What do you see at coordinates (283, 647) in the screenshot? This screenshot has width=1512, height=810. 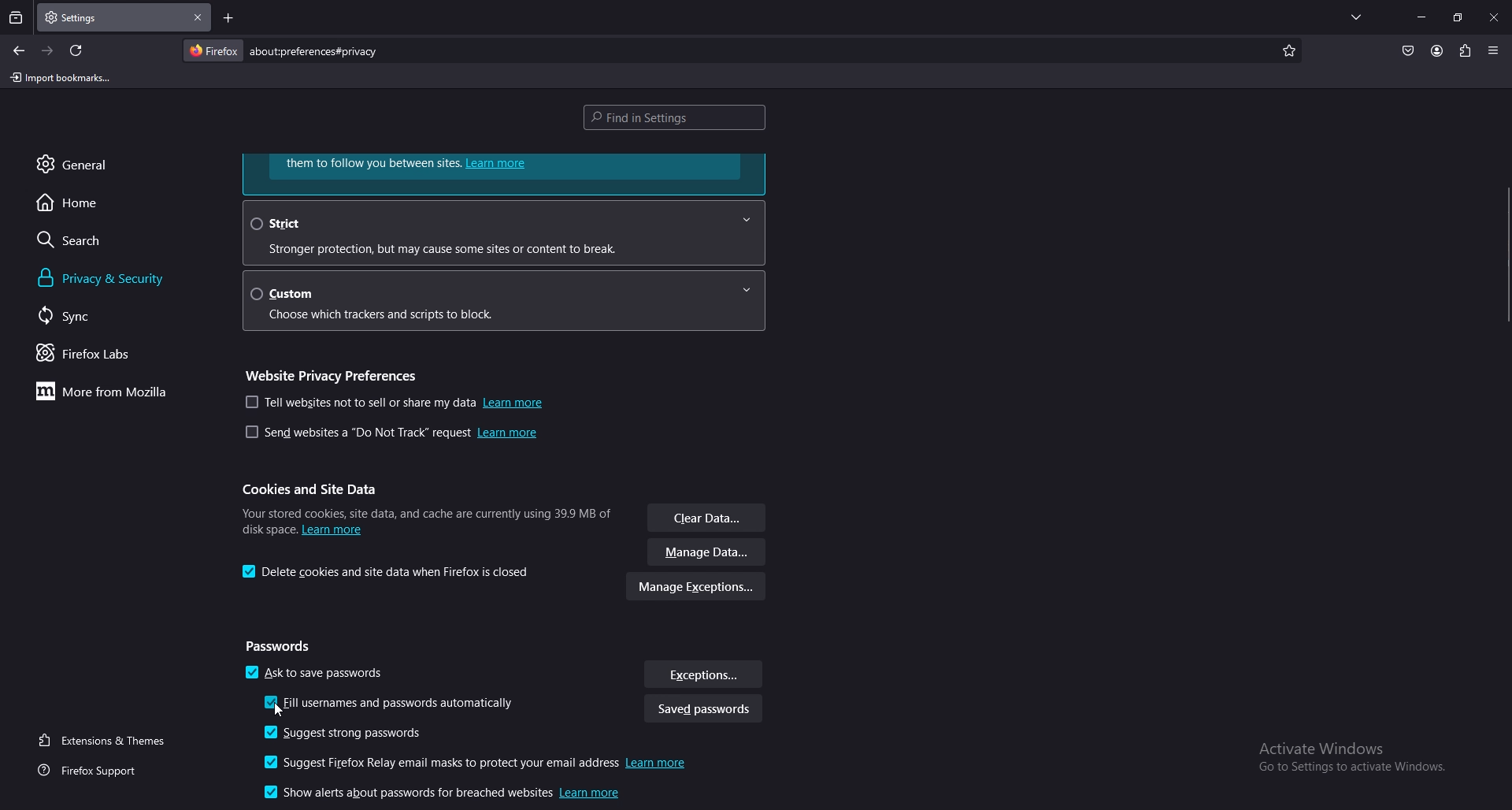 I see `passwords` at bounding box center [283, 647].